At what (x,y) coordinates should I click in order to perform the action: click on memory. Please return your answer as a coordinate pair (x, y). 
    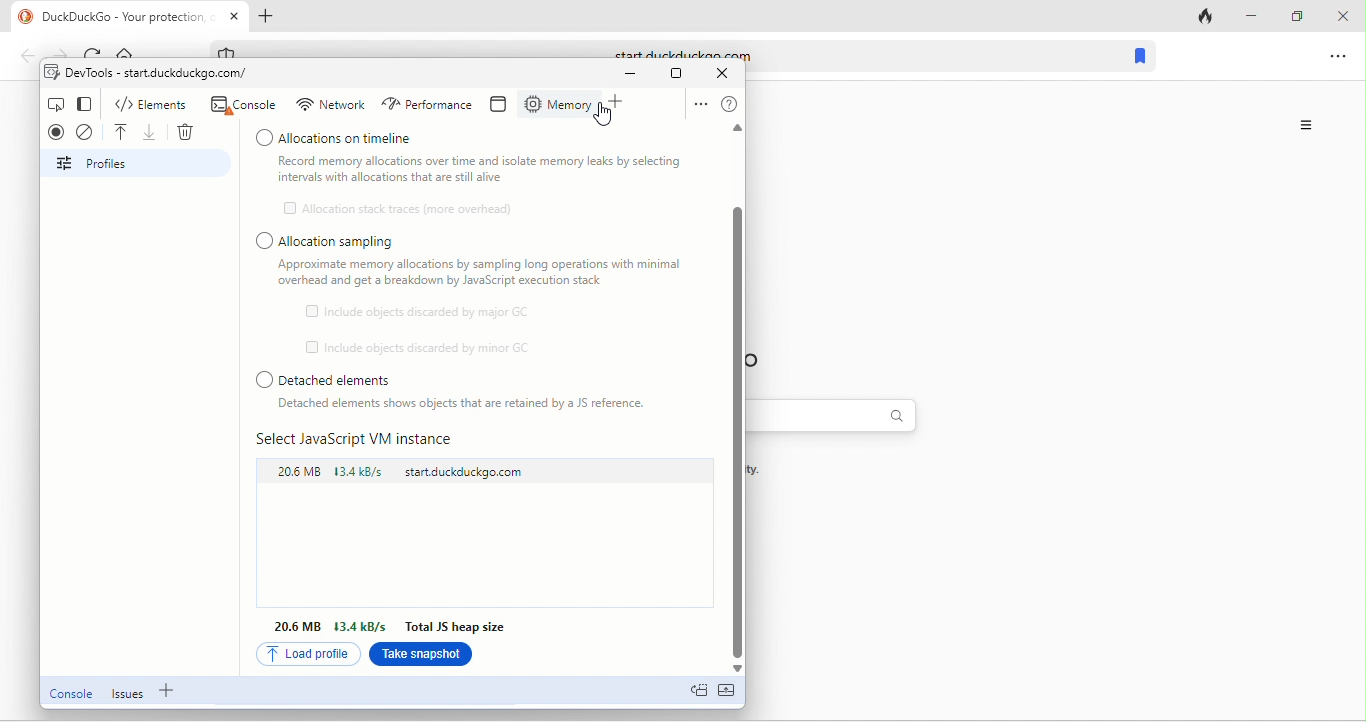
    Looking at the image, I should click on (559, 102).